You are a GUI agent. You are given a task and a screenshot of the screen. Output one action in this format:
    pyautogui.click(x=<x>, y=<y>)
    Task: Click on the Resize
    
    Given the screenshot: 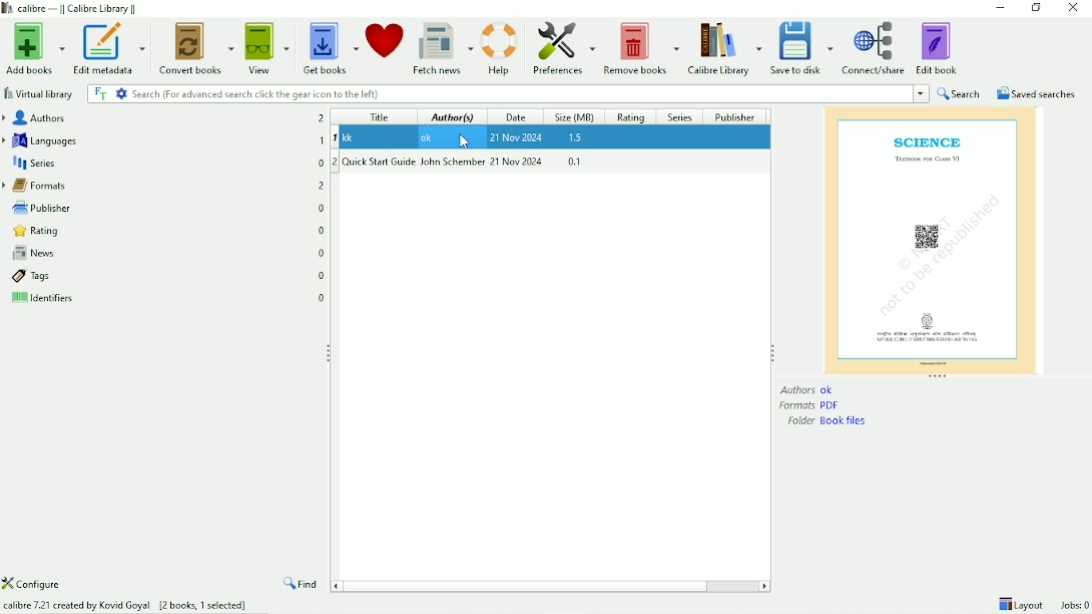 What is the action you would take?
    pyautogui.click(x=326, y=353)
    